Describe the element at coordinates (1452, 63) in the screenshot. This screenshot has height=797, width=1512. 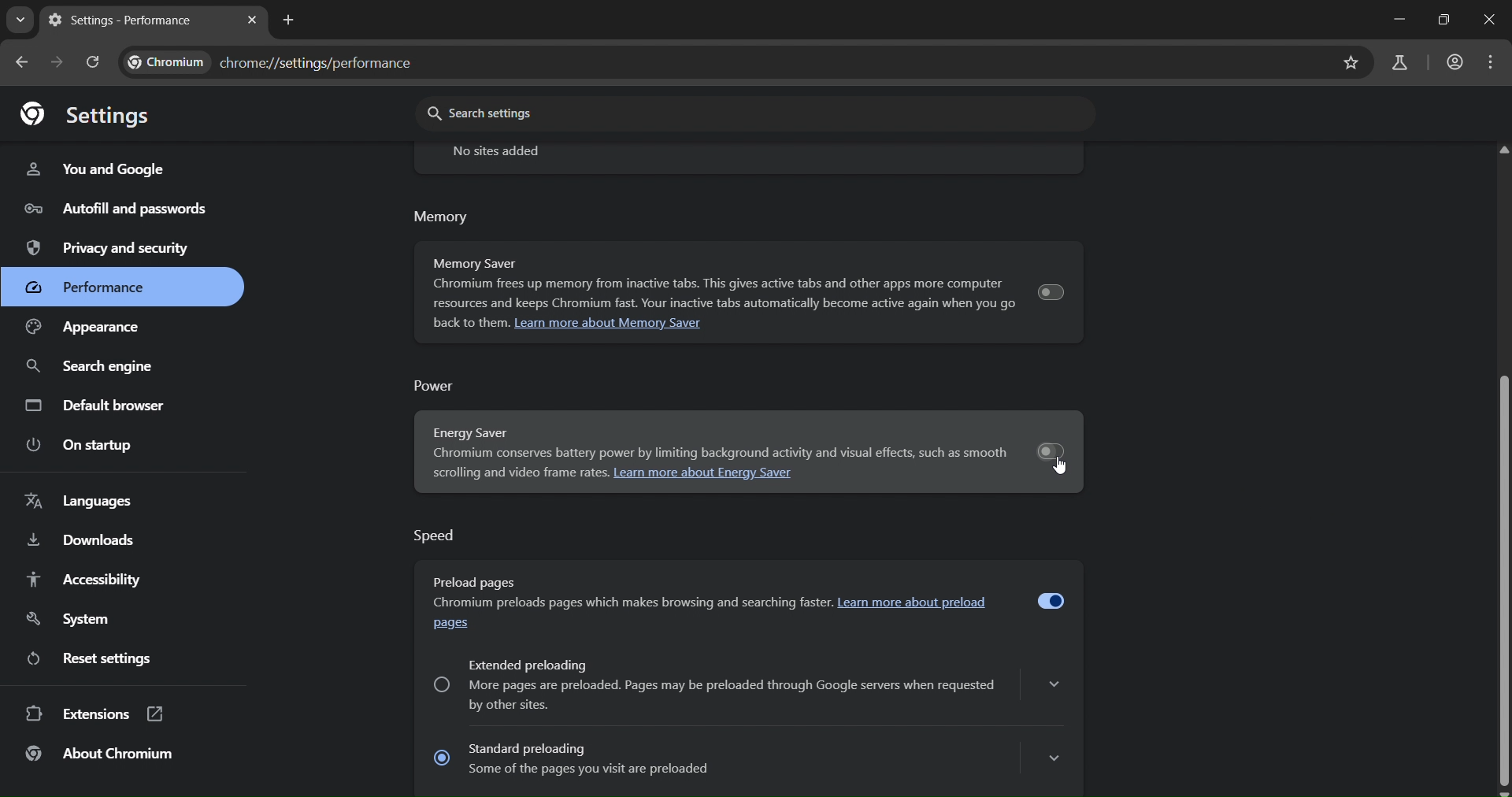
I see `account` at that location.